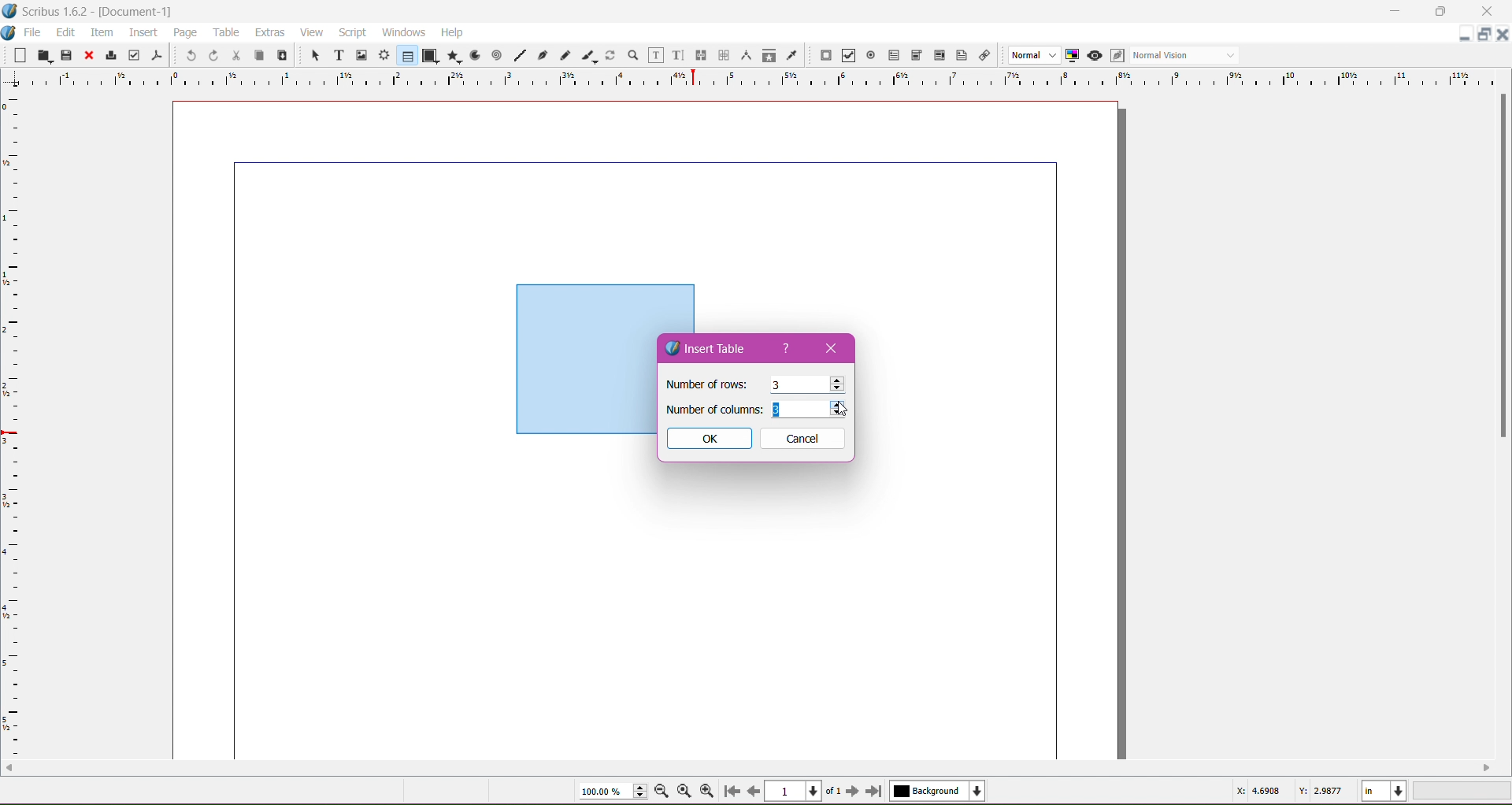 Image resolution: width=1512 pixels, height=805 pixels. Describe the element at coordinates (43, 790) in the screenshot. I see `Insert a table (A)` at that location.